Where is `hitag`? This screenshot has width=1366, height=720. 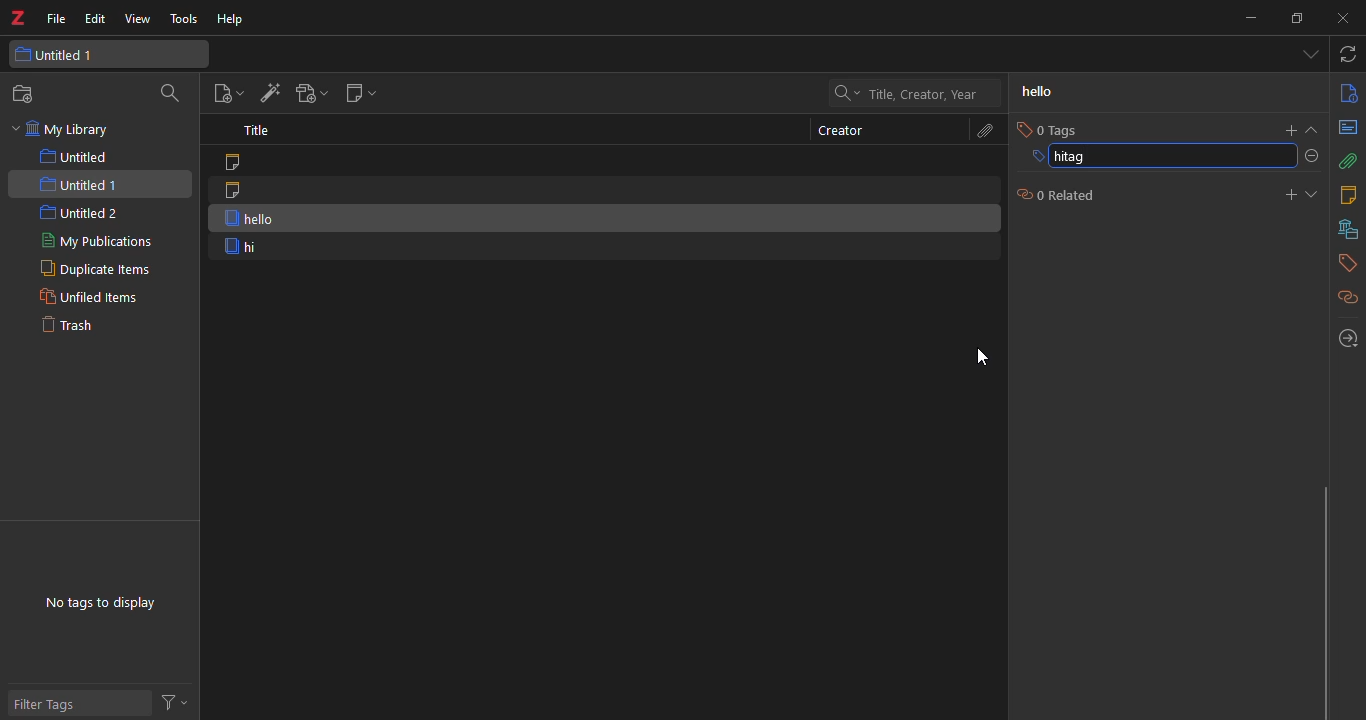
hitag is located at coordinates (1072, 158).